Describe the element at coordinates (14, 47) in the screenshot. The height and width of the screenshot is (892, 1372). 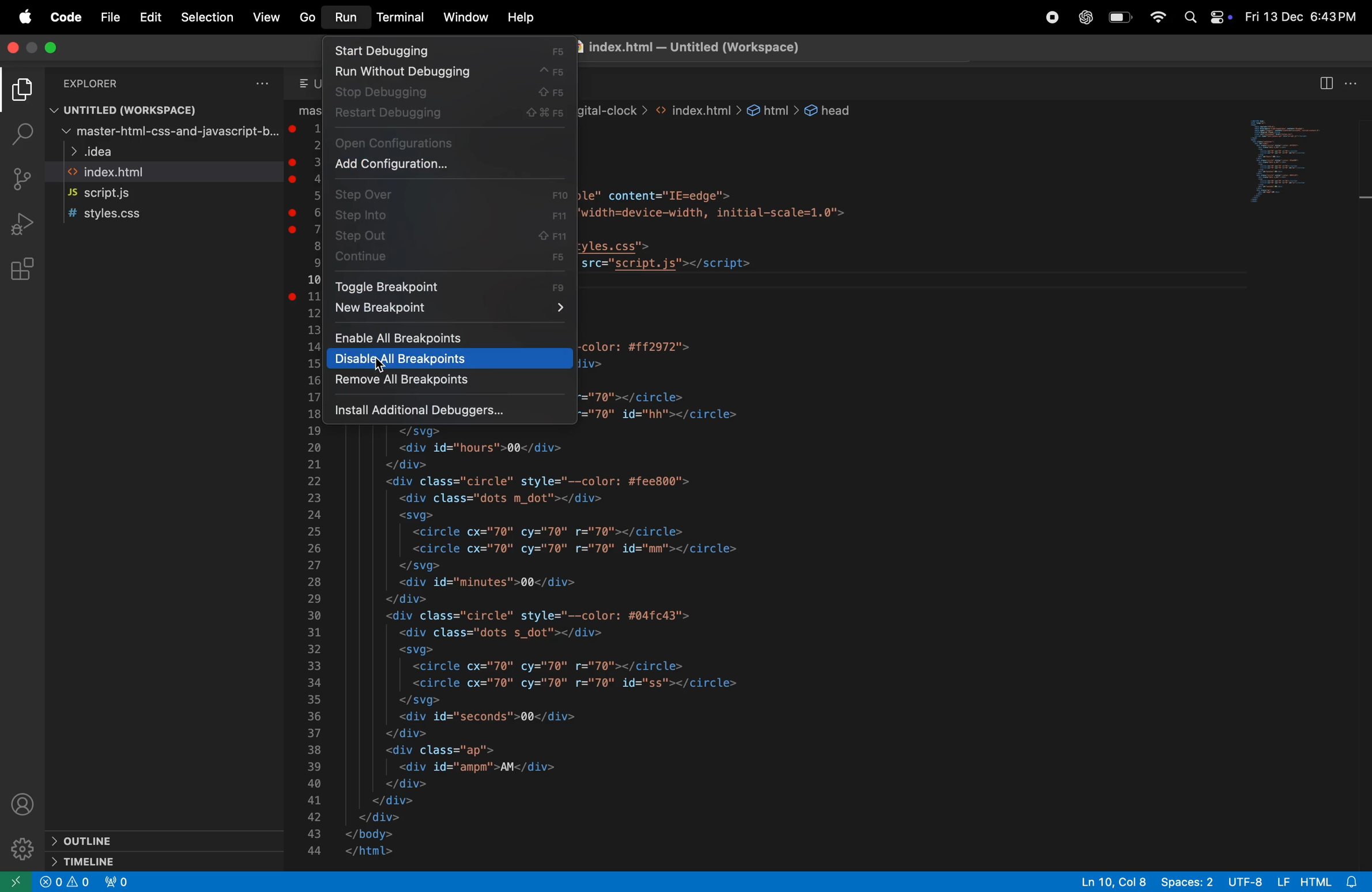
I see `close` at that location.